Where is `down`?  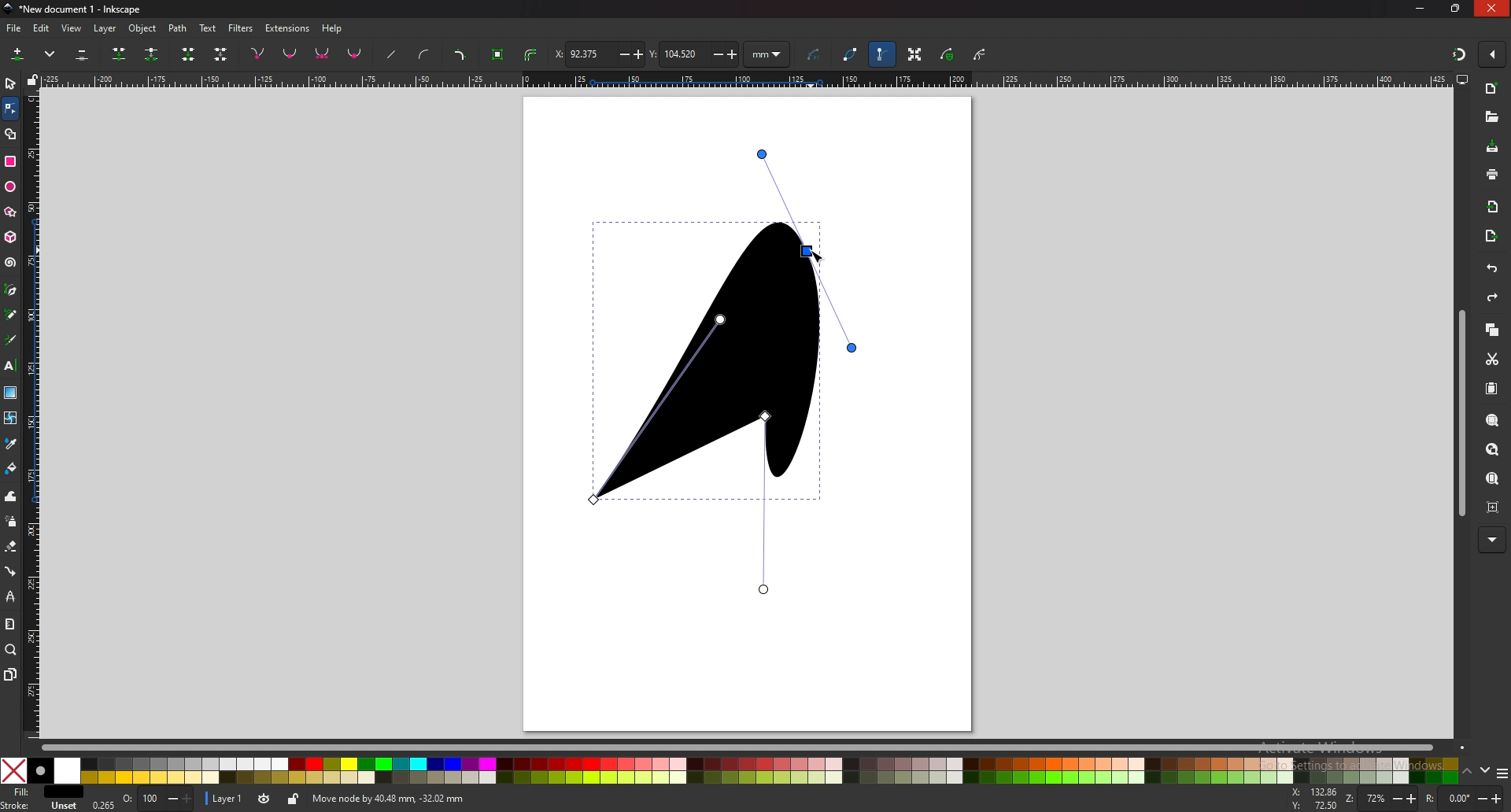
down is located at coordinates (1486, 771).